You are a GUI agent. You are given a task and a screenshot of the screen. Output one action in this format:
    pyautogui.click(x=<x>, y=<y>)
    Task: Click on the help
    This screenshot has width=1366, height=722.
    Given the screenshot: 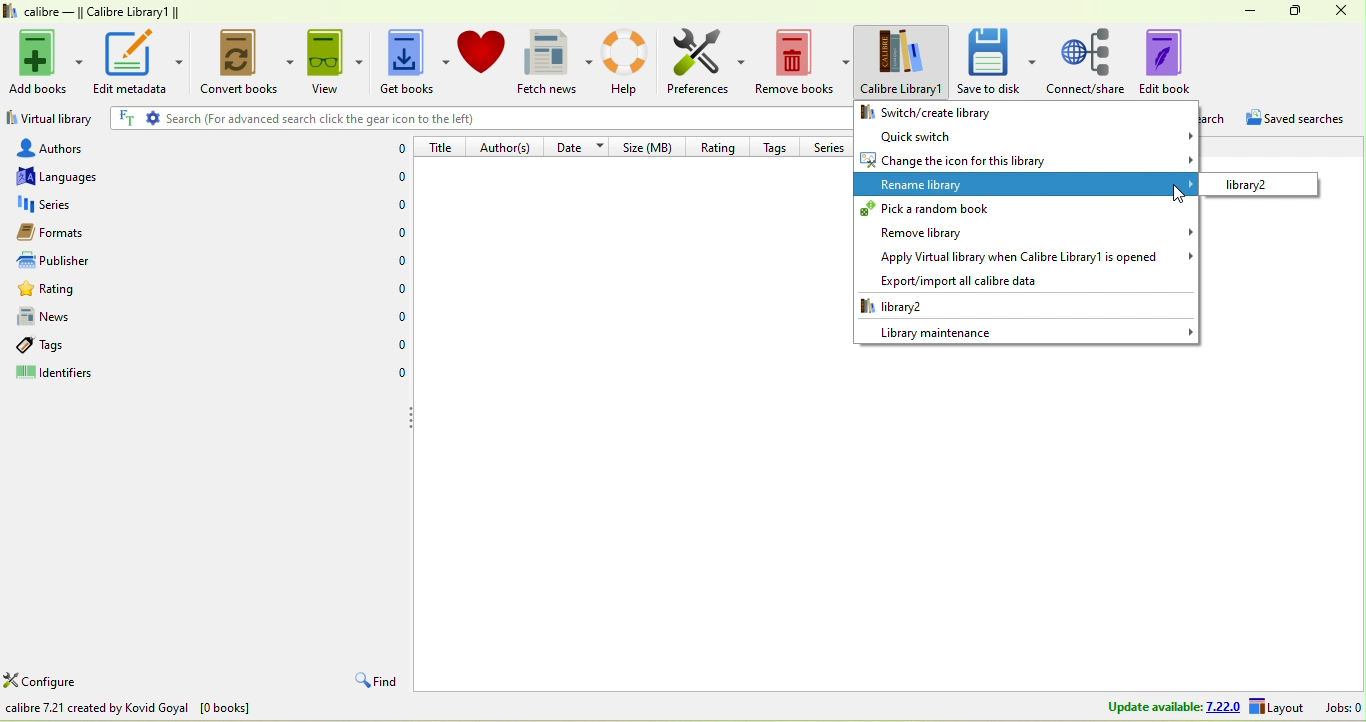 What is the action you would take?
    pyautogui.click(x=630, y=61)
    